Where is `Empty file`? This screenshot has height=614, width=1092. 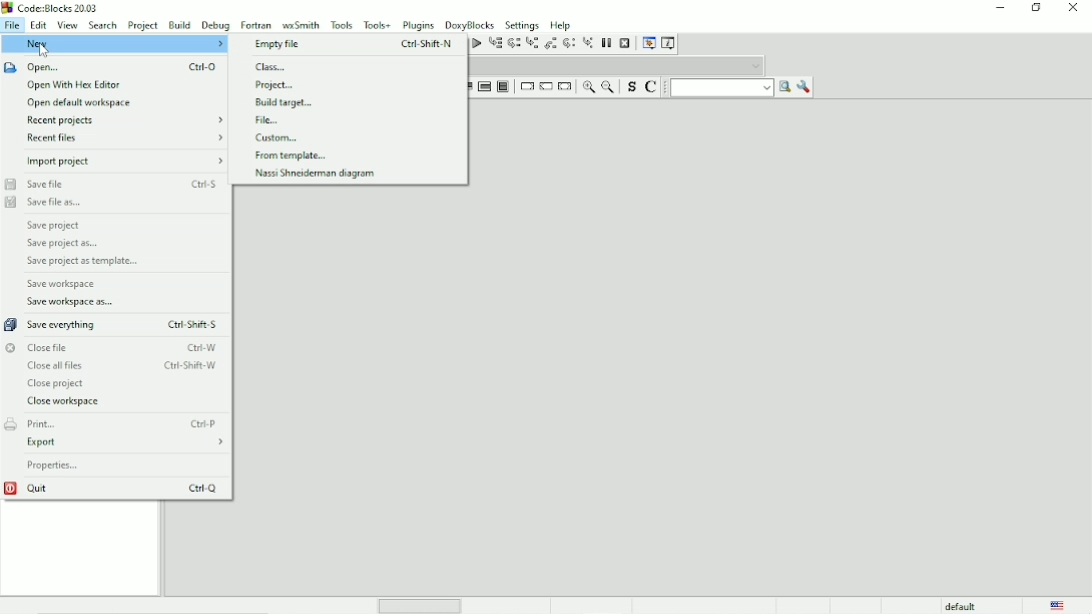
Empty file is located at coordinates (355, 45).